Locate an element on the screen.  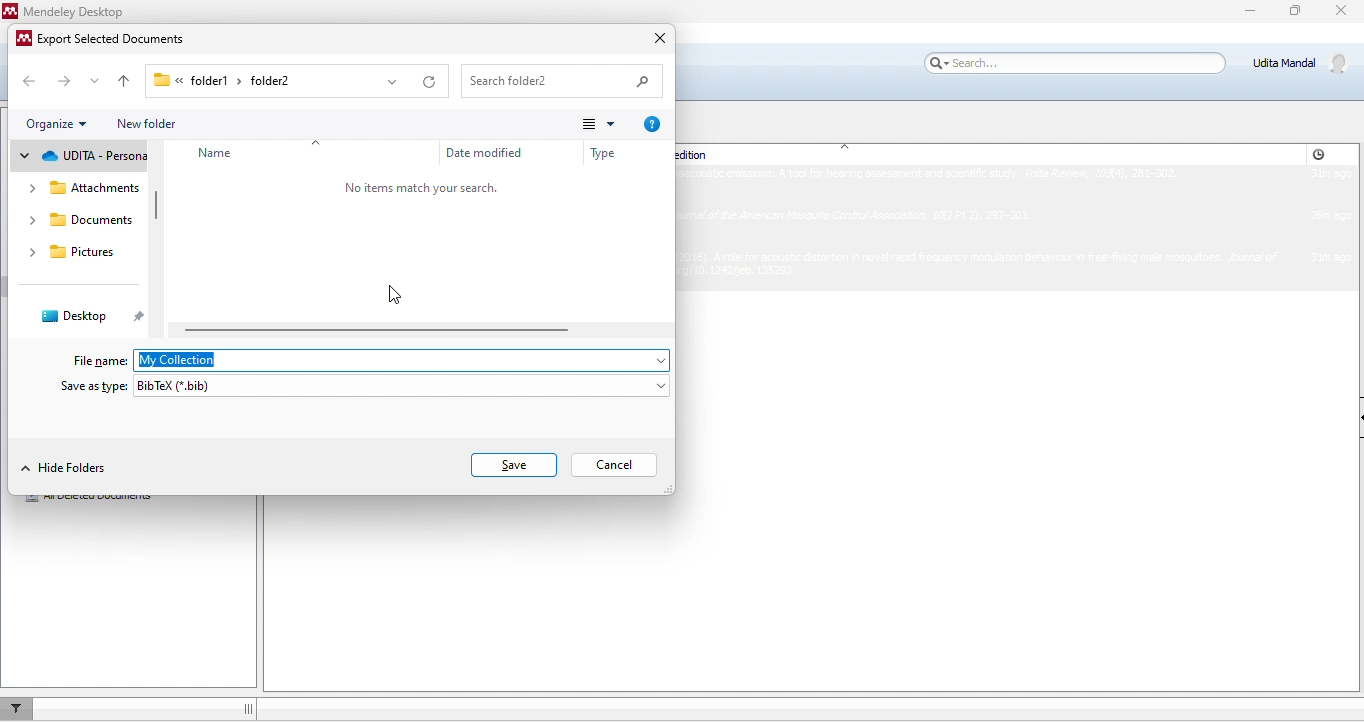
cursor movement is located at coordinates (396, 294).